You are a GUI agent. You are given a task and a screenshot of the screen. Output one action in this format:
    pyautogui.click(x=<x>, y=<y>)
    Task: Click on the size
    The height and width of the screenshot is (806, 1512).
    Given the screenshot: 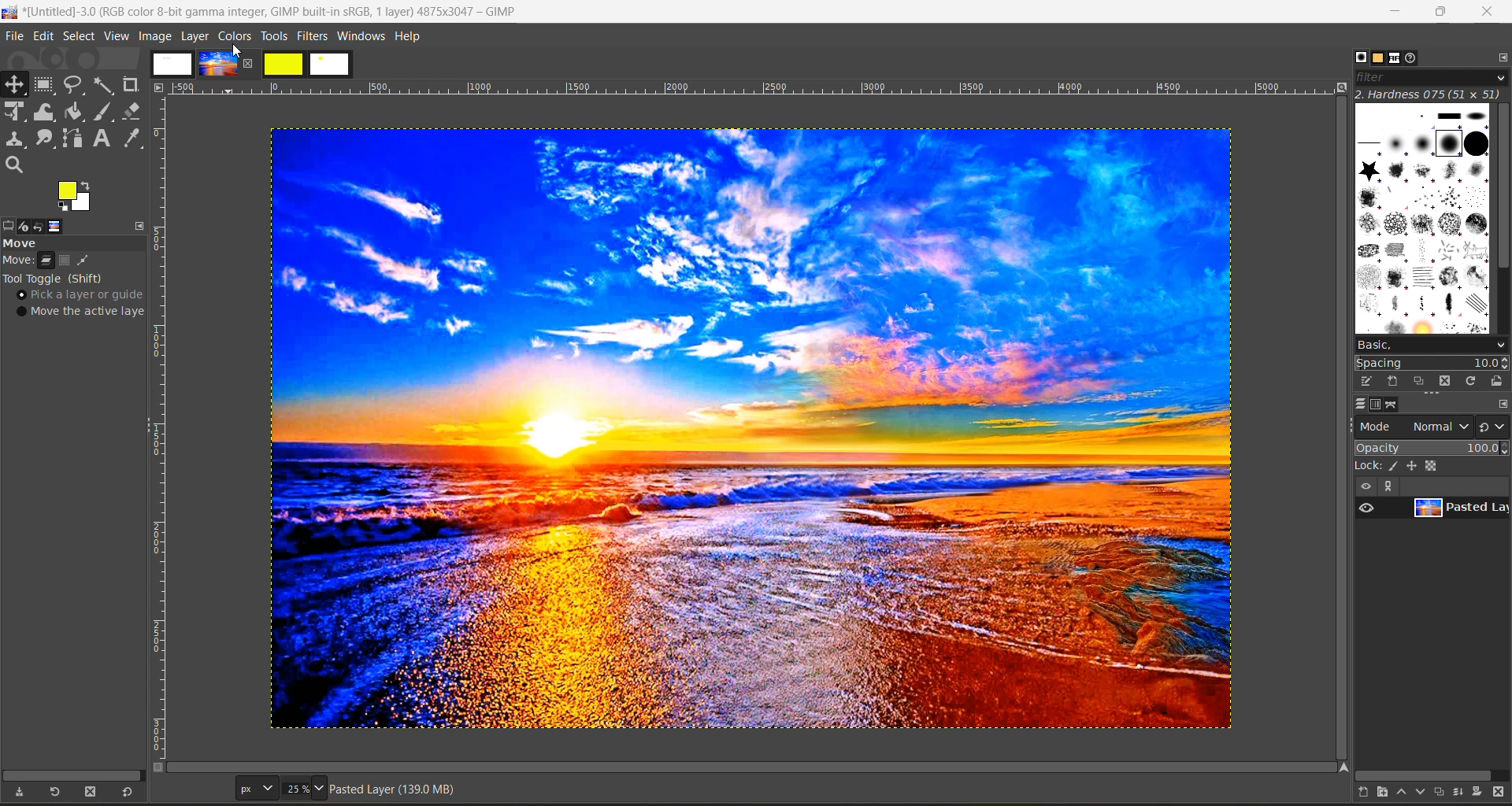 What is the action you would take?
    pyautogui.click(x=283, y=788)
    